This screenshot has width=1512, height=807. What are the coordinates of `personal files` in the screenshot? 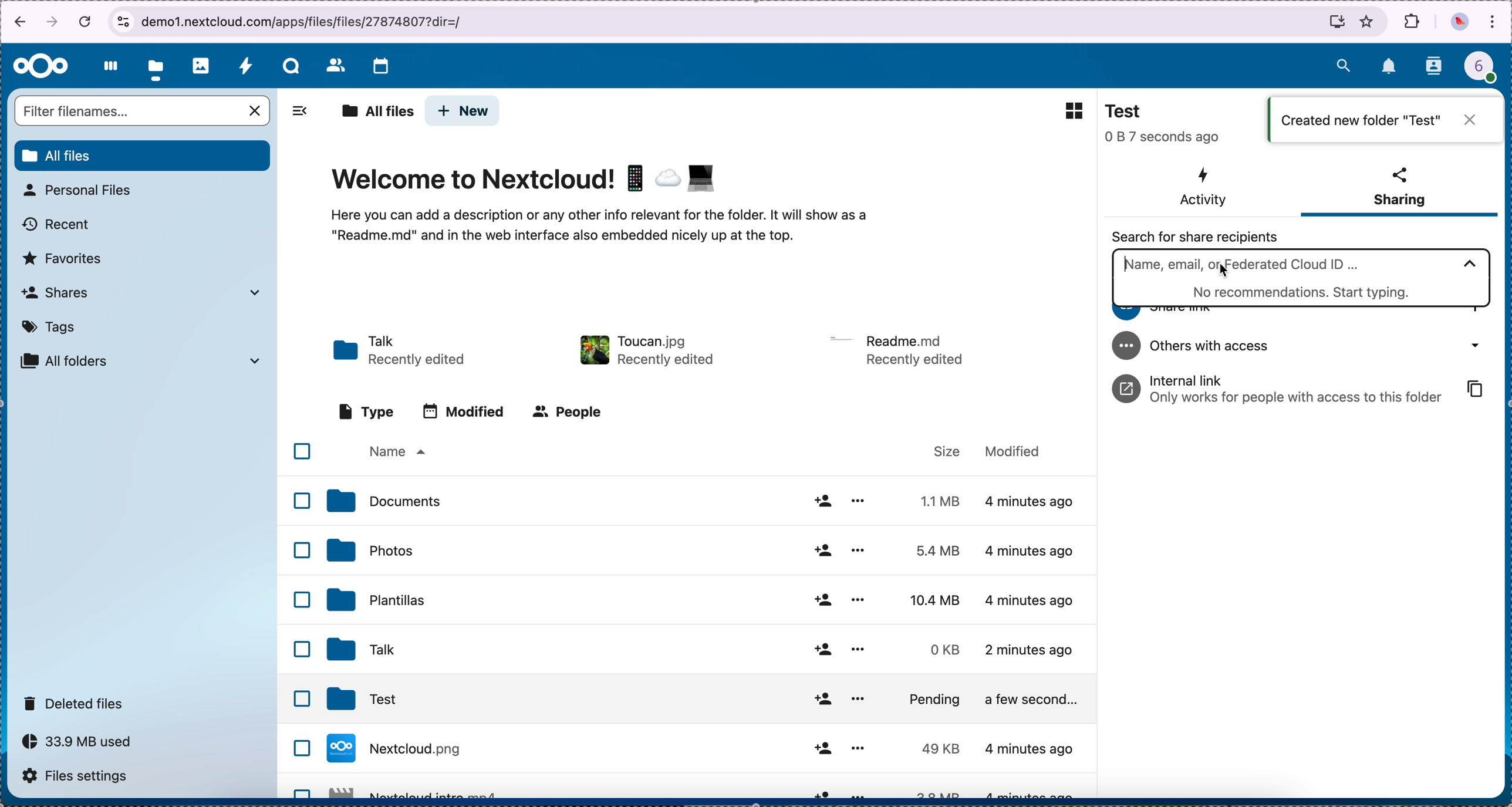 It's located at (81, 190).